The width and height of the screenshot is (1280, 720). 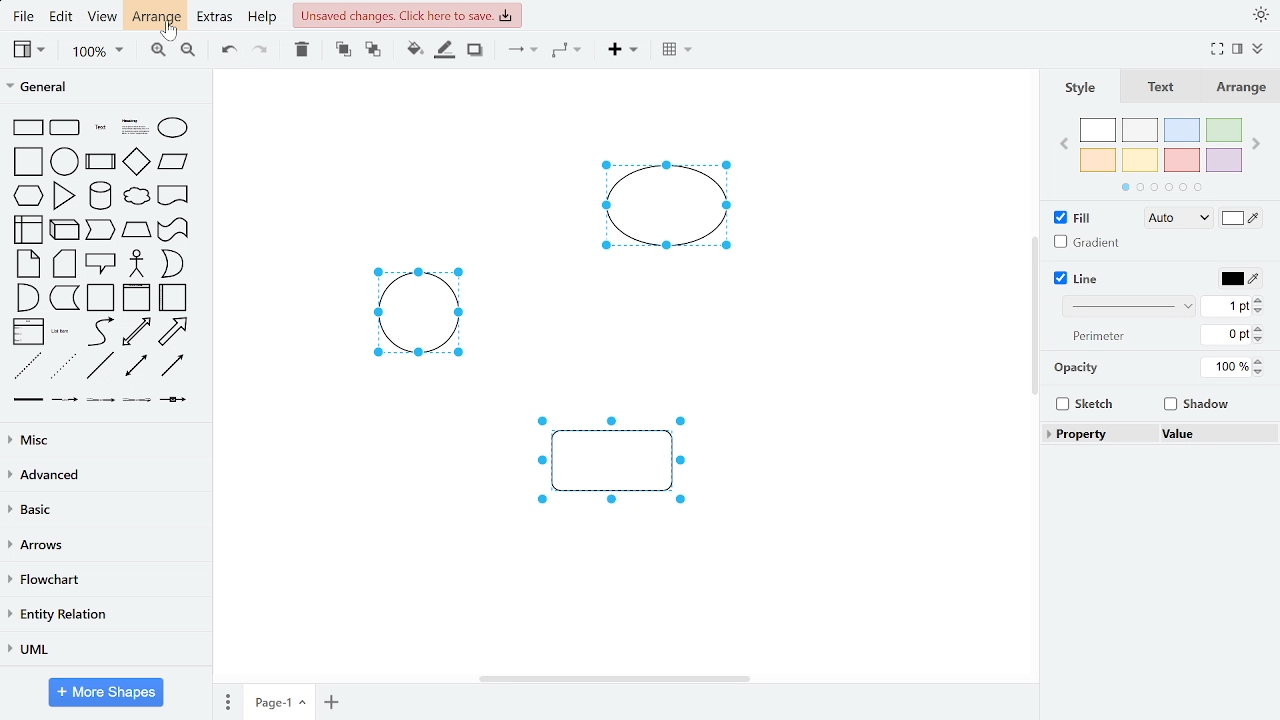 I want to click on Gradient, so click(x=1083, y=241).